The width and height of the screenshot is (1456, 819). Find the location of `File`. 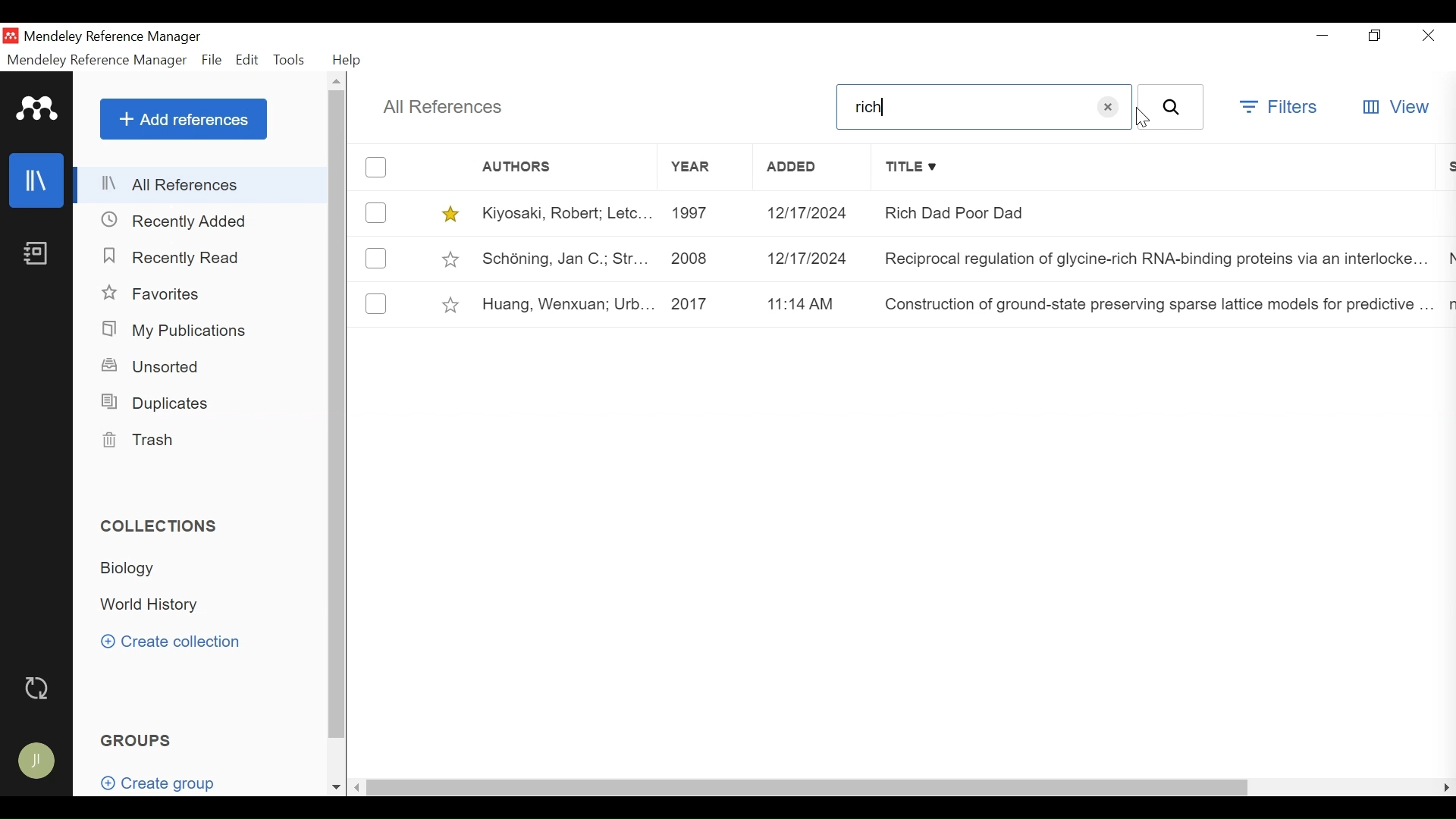

File is located at coordinates (210, 60).